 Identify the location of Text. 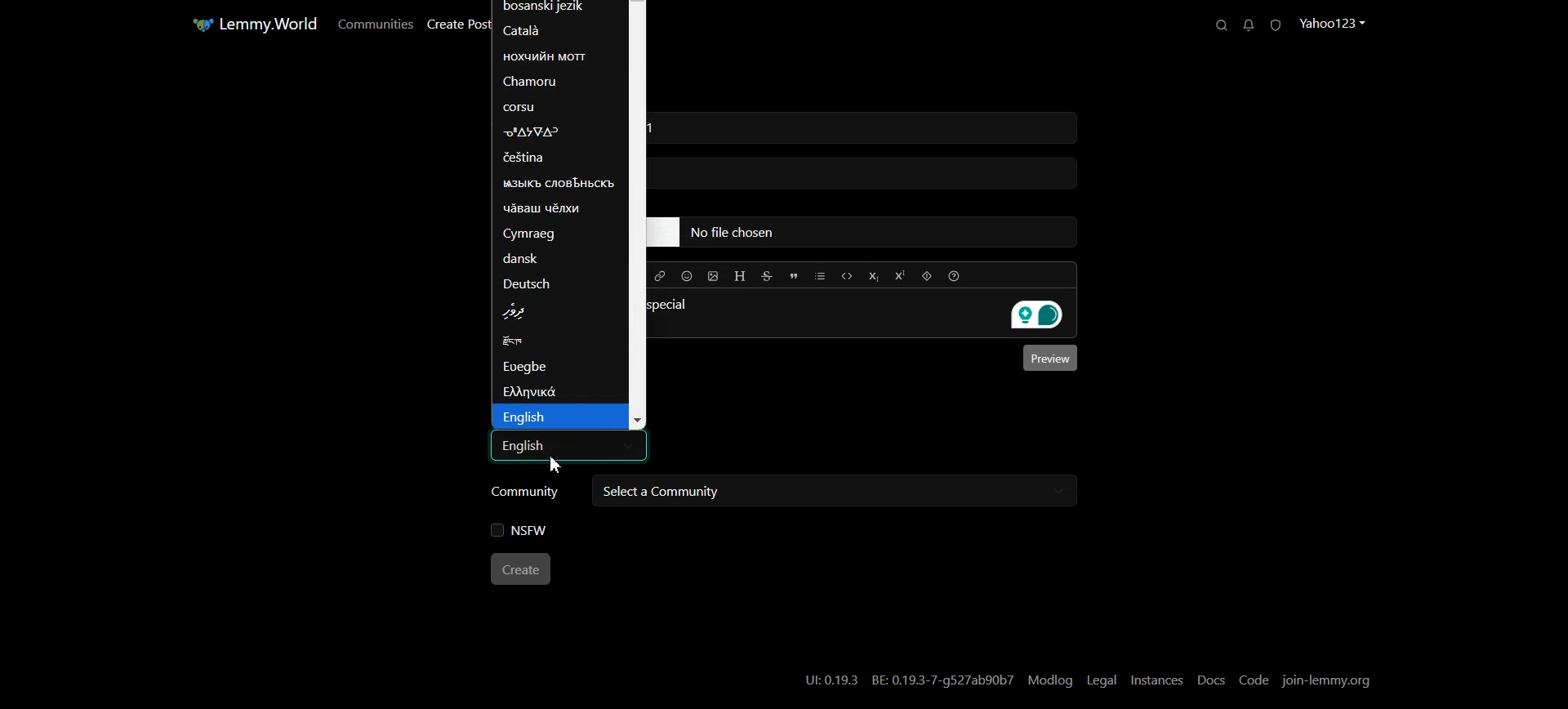
(532, 447).